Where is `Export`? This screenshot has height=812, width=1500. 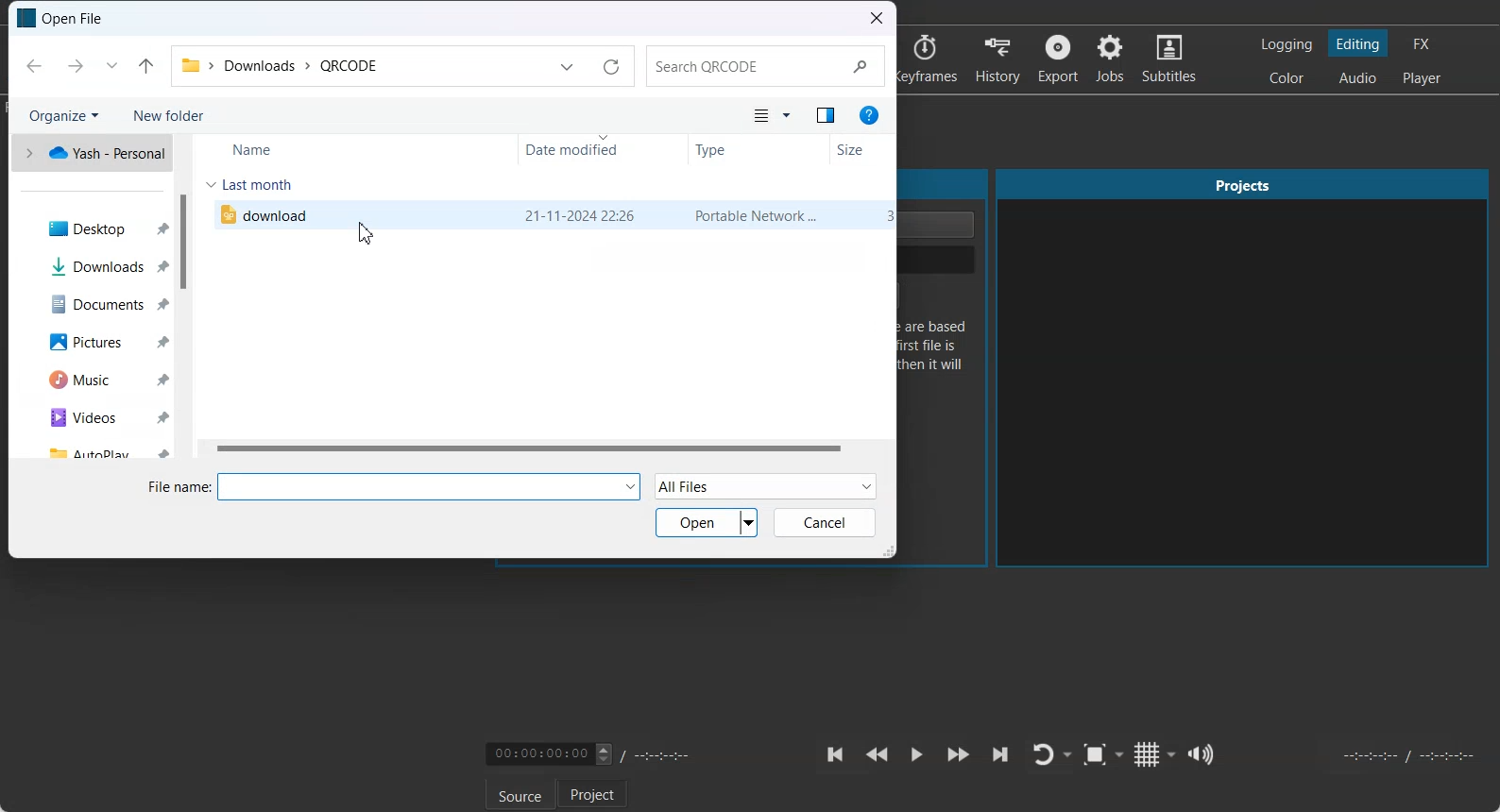 Export is located at coordinates (1061, 59).